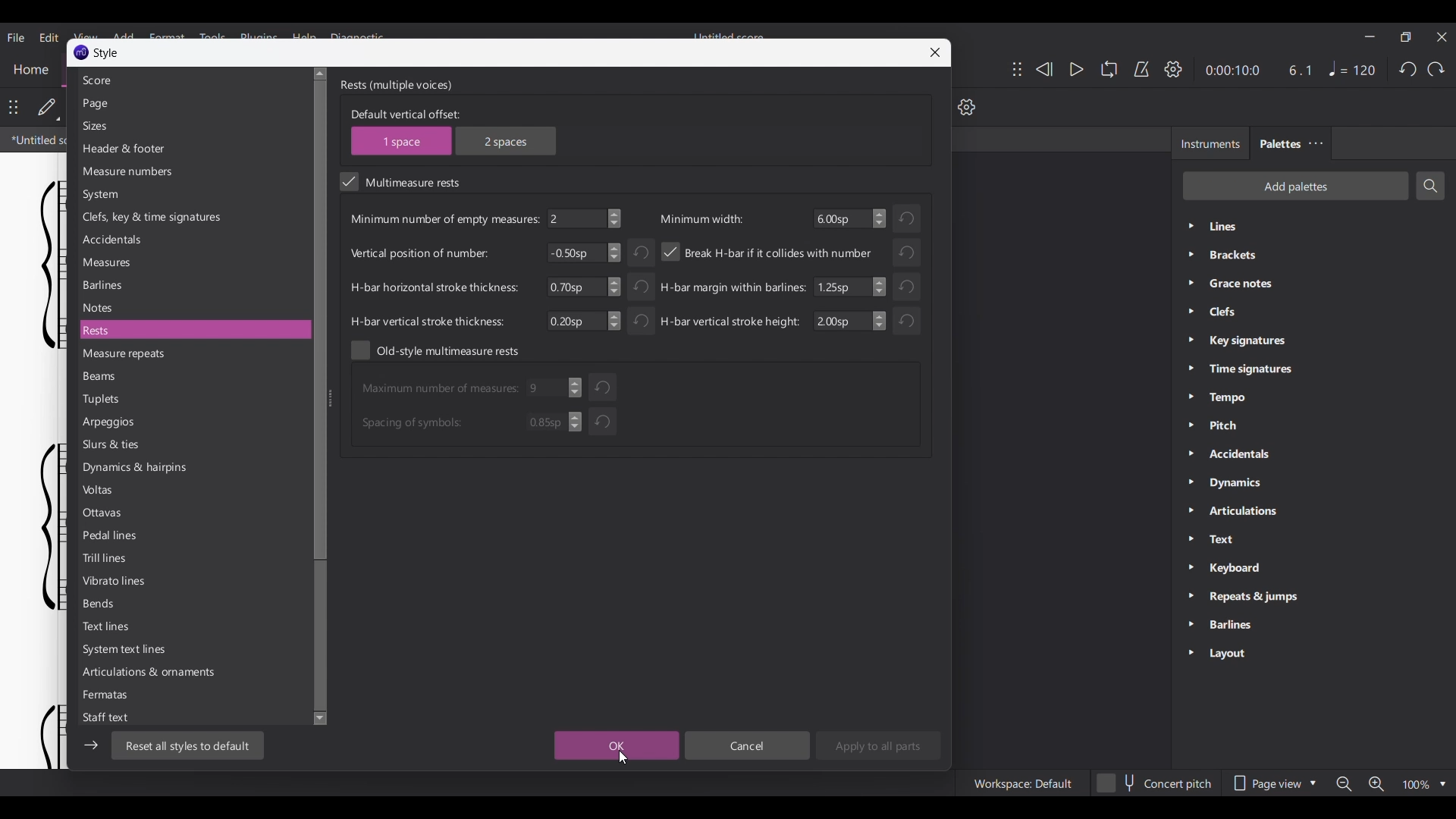 This screenshot has width=1456, height=819. What do you see at coordinates (1076, 70) in the screenshot?
I see `Play` at bounding box center [1076, 70].